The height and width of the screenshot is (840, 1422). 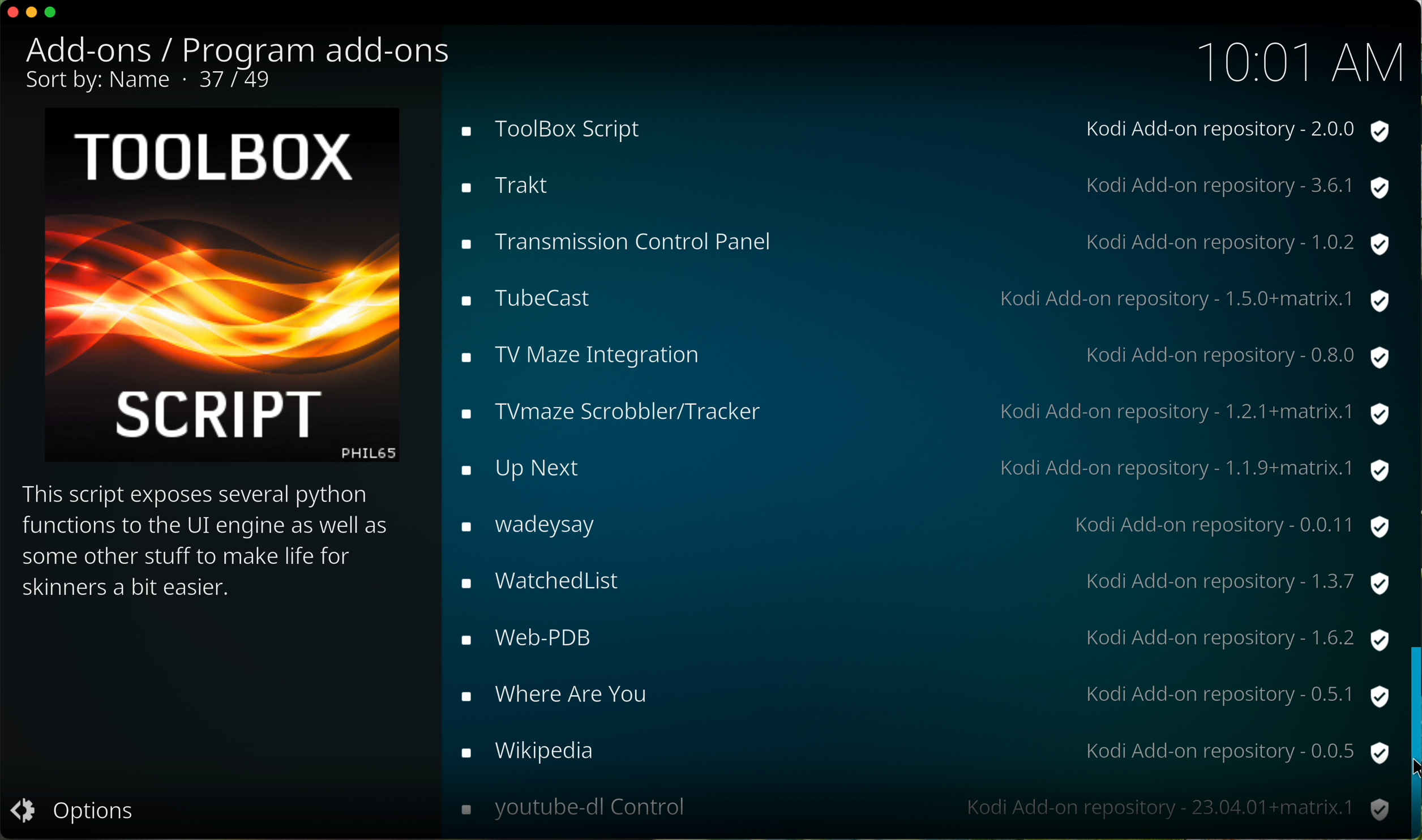 What do you see at coordinates (1413, 769) in the screenshot?
I see `Cursor` at bounding box center [1413, 769].